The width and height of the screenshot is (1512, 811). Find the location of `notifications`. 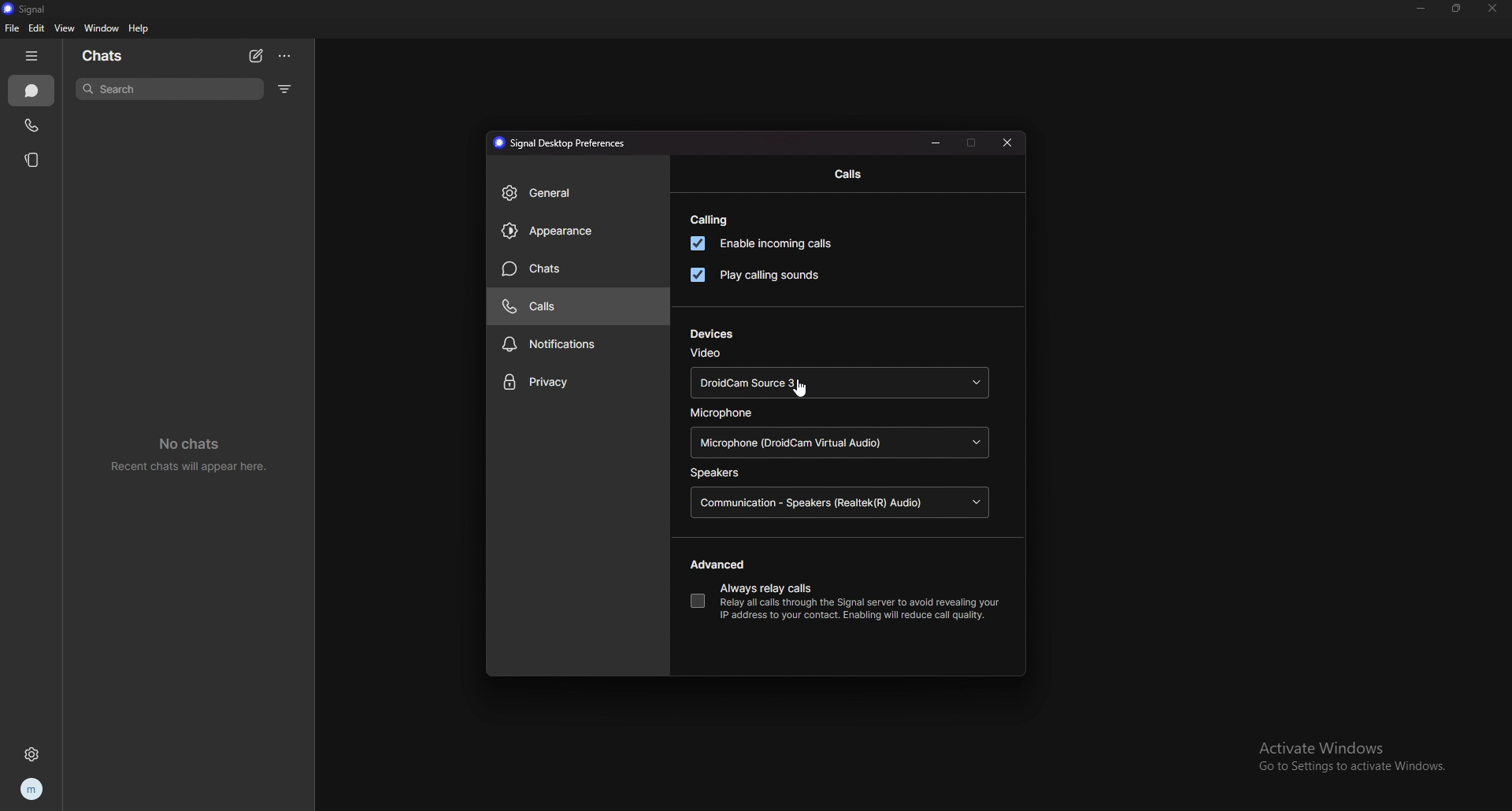

notifications is located at coordinates (580, 343).